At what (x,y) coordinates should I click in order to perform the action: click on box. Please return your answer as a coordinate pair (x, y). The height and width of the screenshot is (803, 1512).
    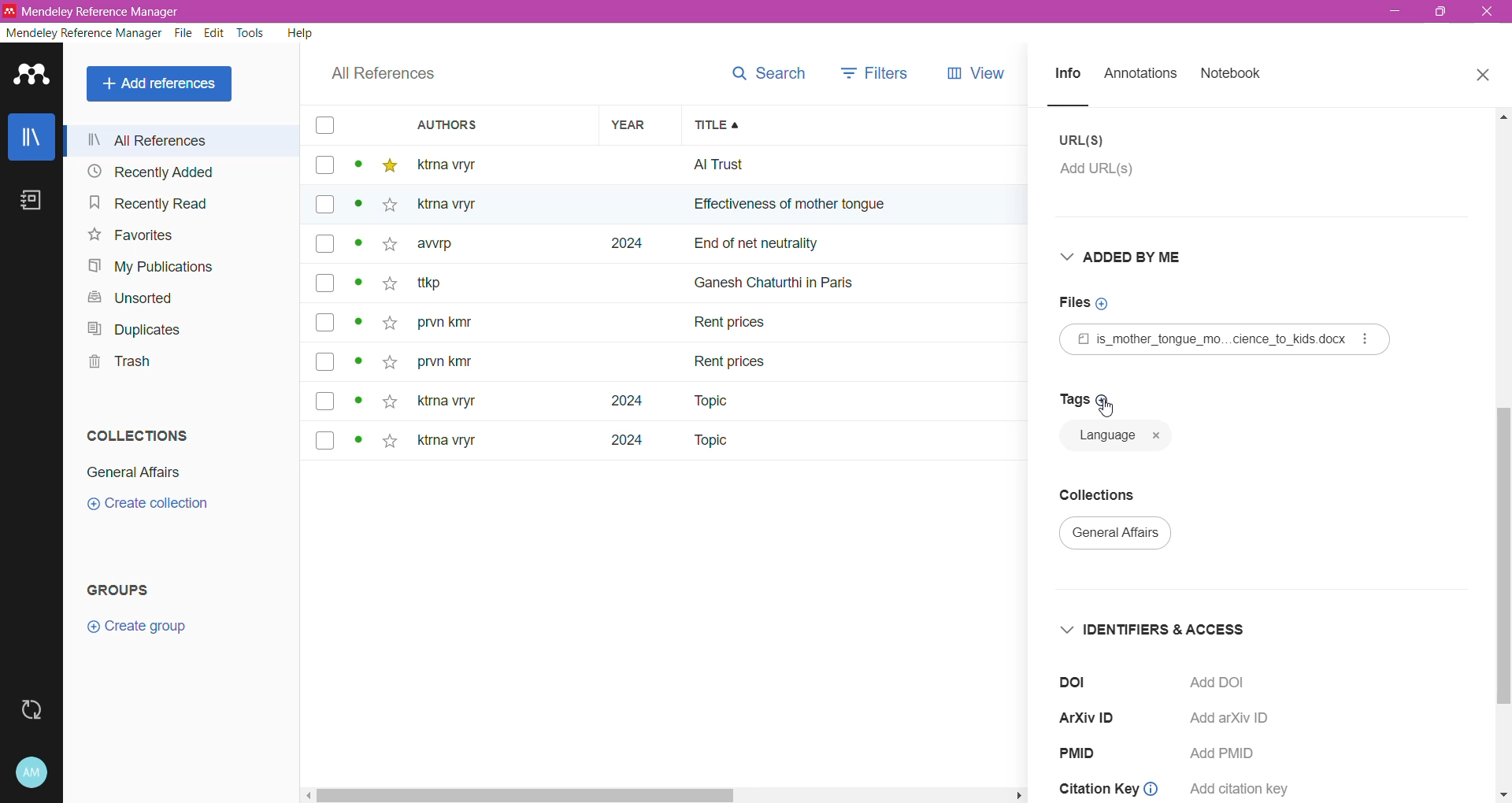
    Looking at the image, I should click on (324, 205).